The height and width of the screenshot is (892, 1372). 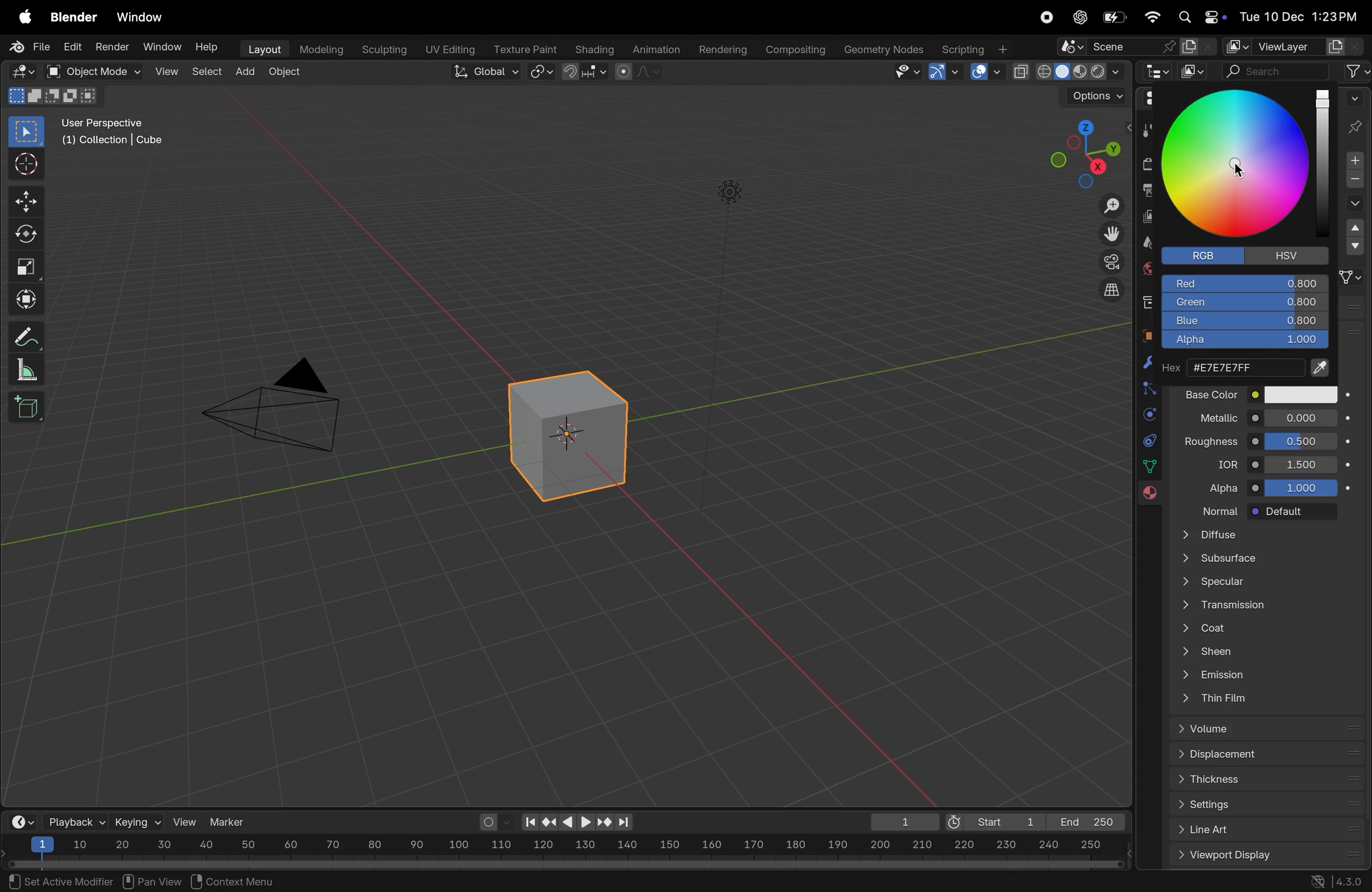 What do you see at coordinates (578, 823) in the screenshot?
I see `play back controls` at bounding box center [578, 823].